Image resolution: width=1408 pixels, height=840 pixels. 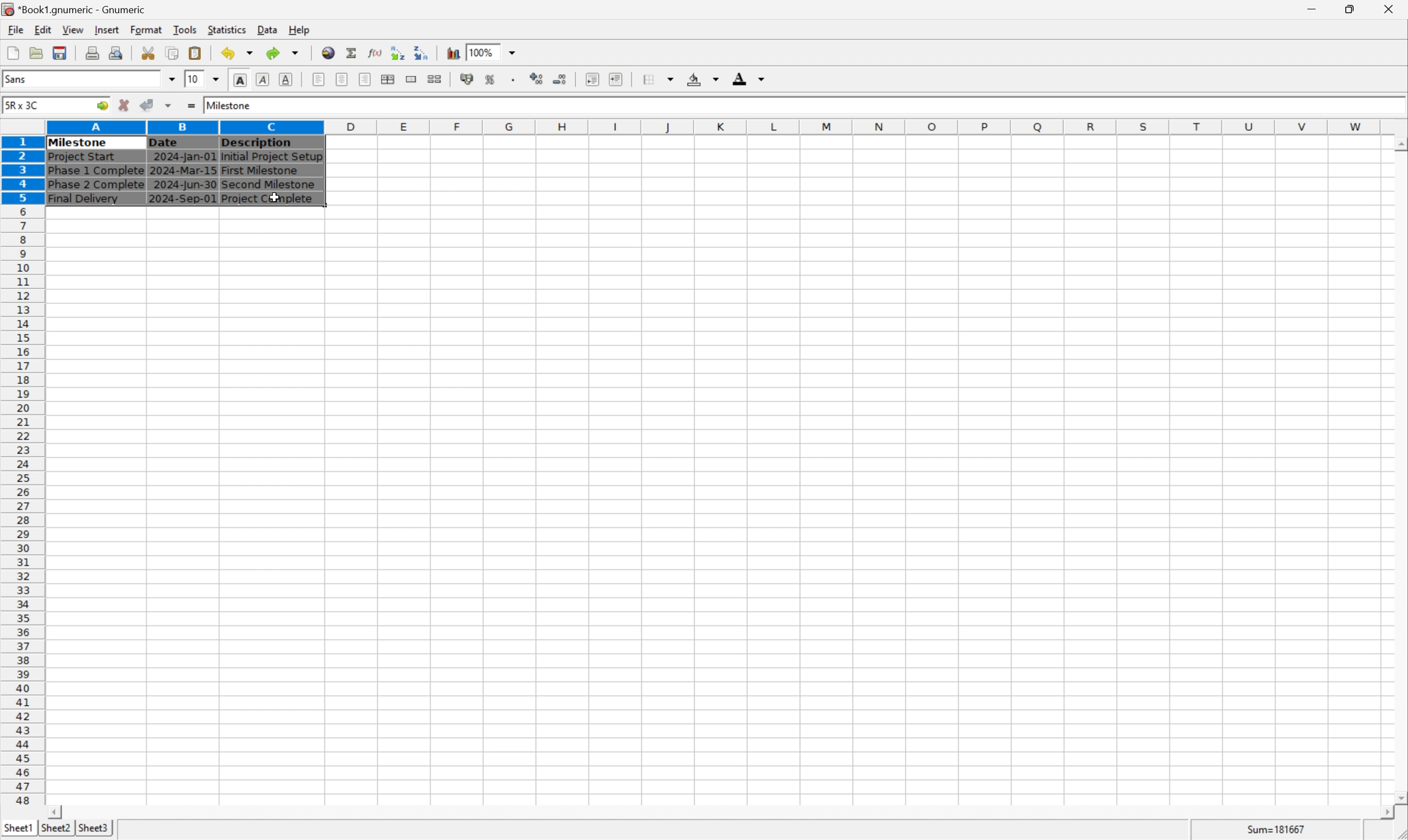 I want to click on sheet3, so click(x=93, y=831).